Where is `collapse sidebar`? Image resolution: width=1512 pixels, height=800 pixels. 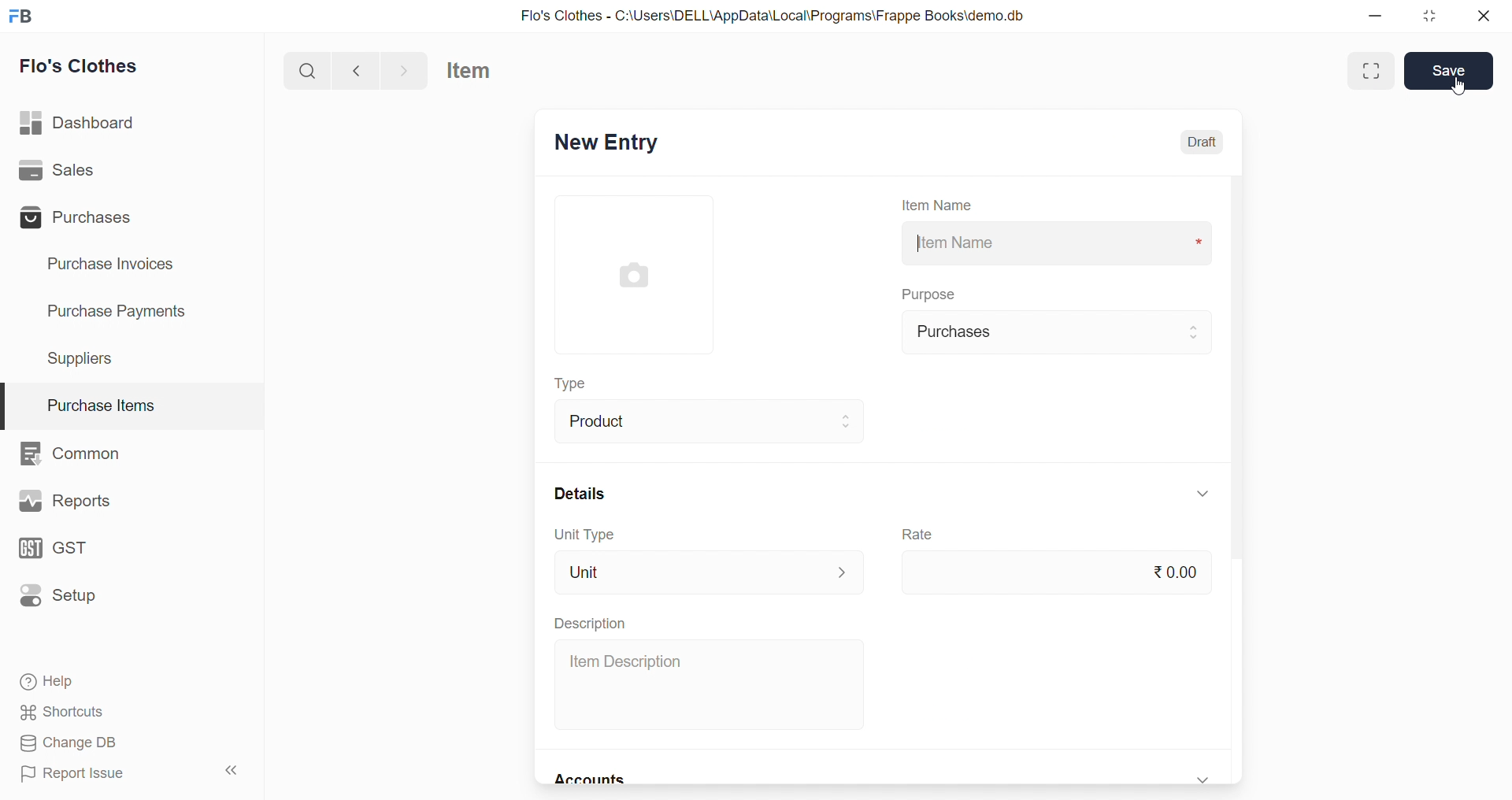 collapse sidebar is located at coordinates (238, 772).